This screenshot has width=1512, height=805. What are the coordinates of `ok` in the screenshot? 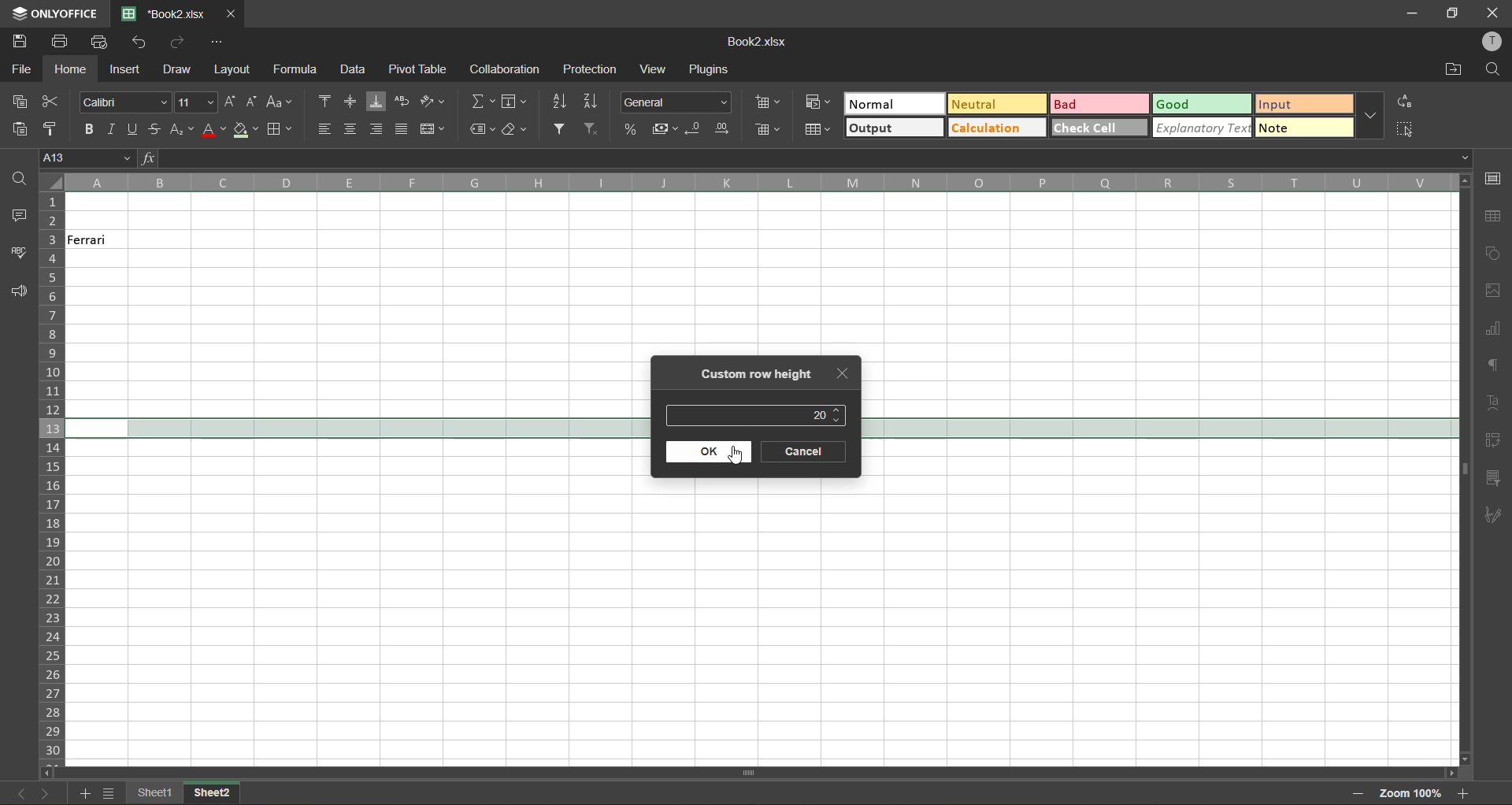 It's located at (710, 452).